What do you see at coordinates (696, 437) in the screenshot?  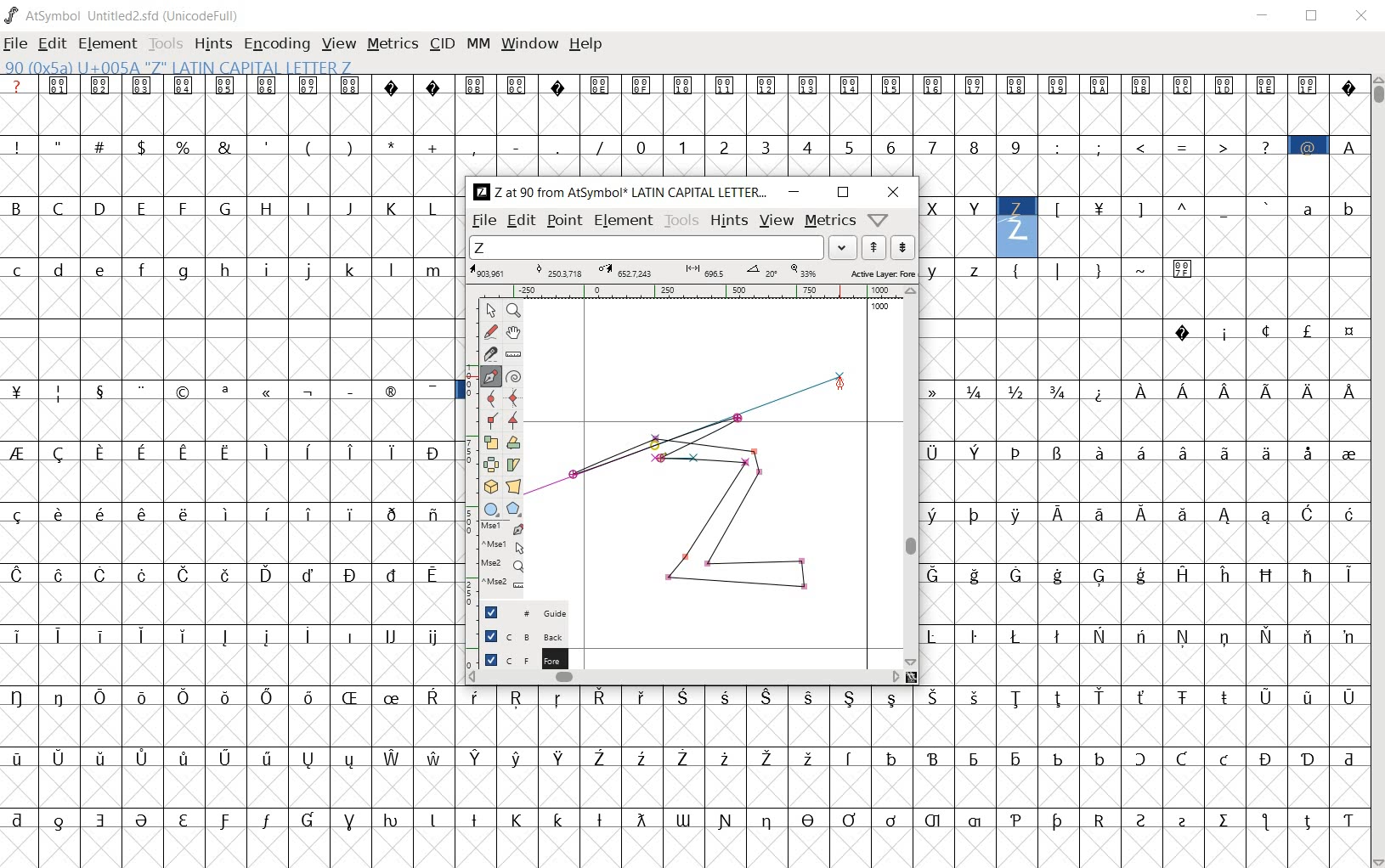 I see `creative tail designed` at bounding box center [696, 437].